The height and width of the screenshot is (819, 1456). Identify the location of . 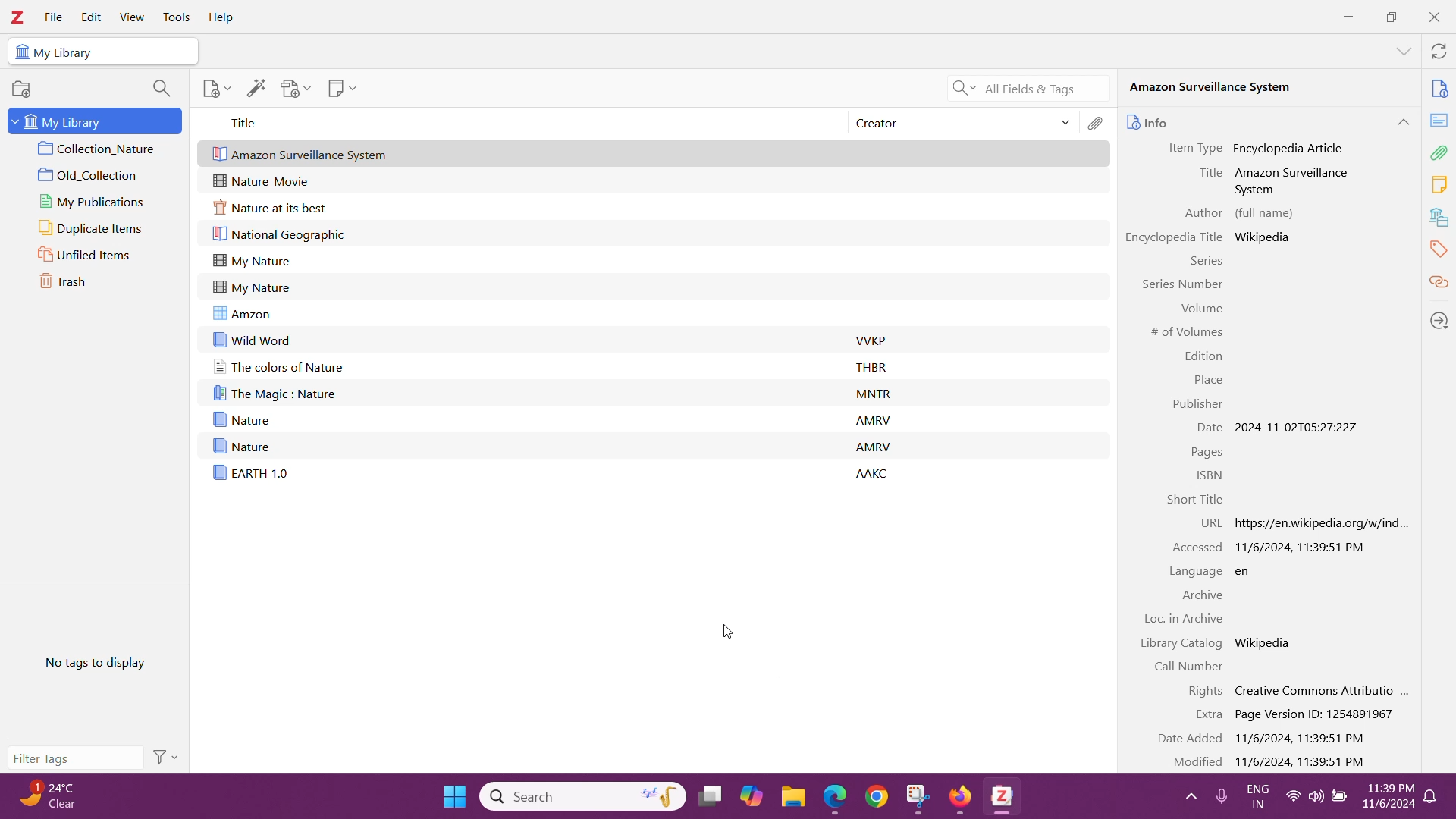
(131, 18).